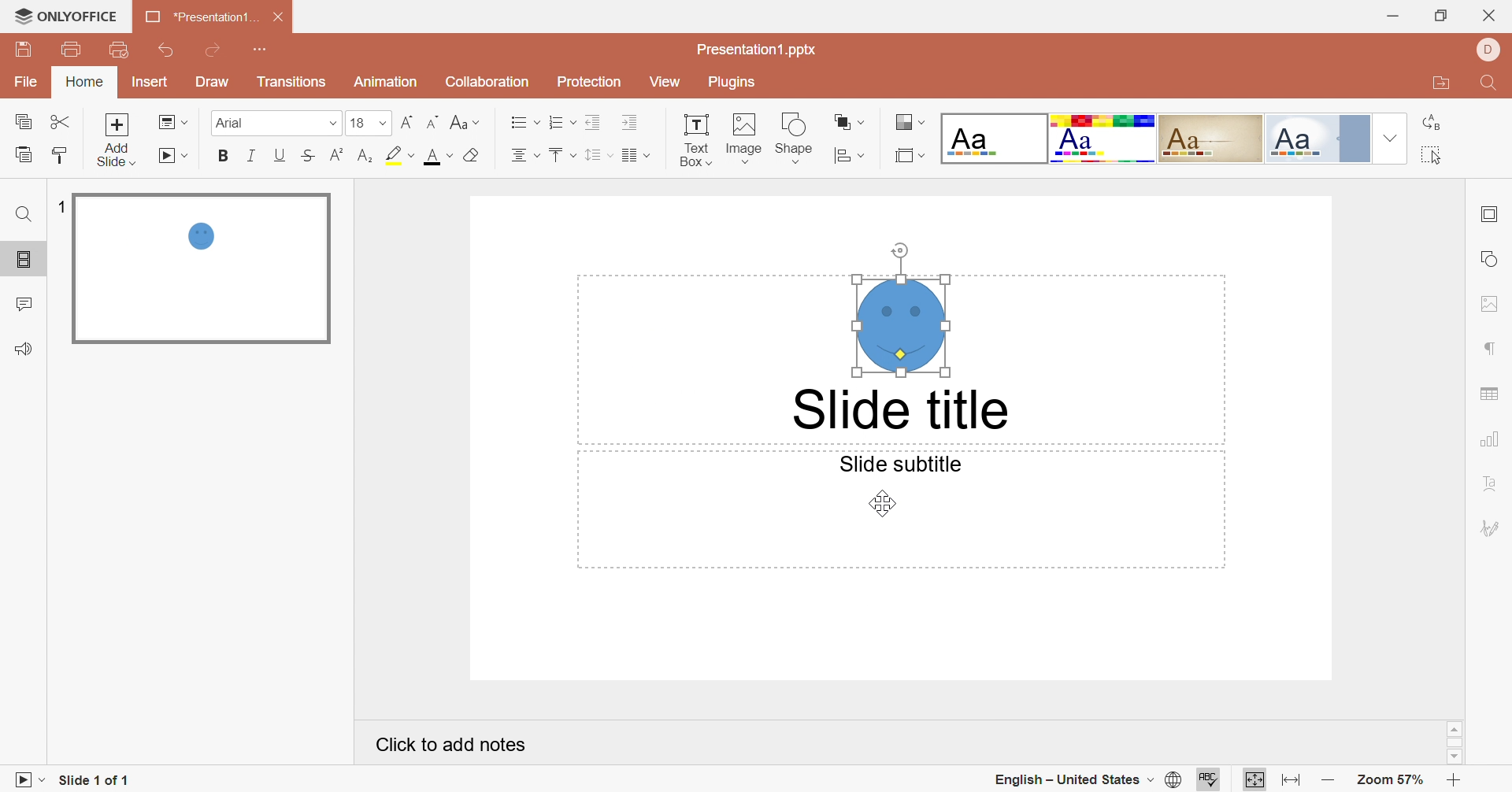 The height and width of the screenshot is (792, 1512). Describe the element at coordinates (25, 350) in the screenshot. I see `Feedback & Support` at that location.